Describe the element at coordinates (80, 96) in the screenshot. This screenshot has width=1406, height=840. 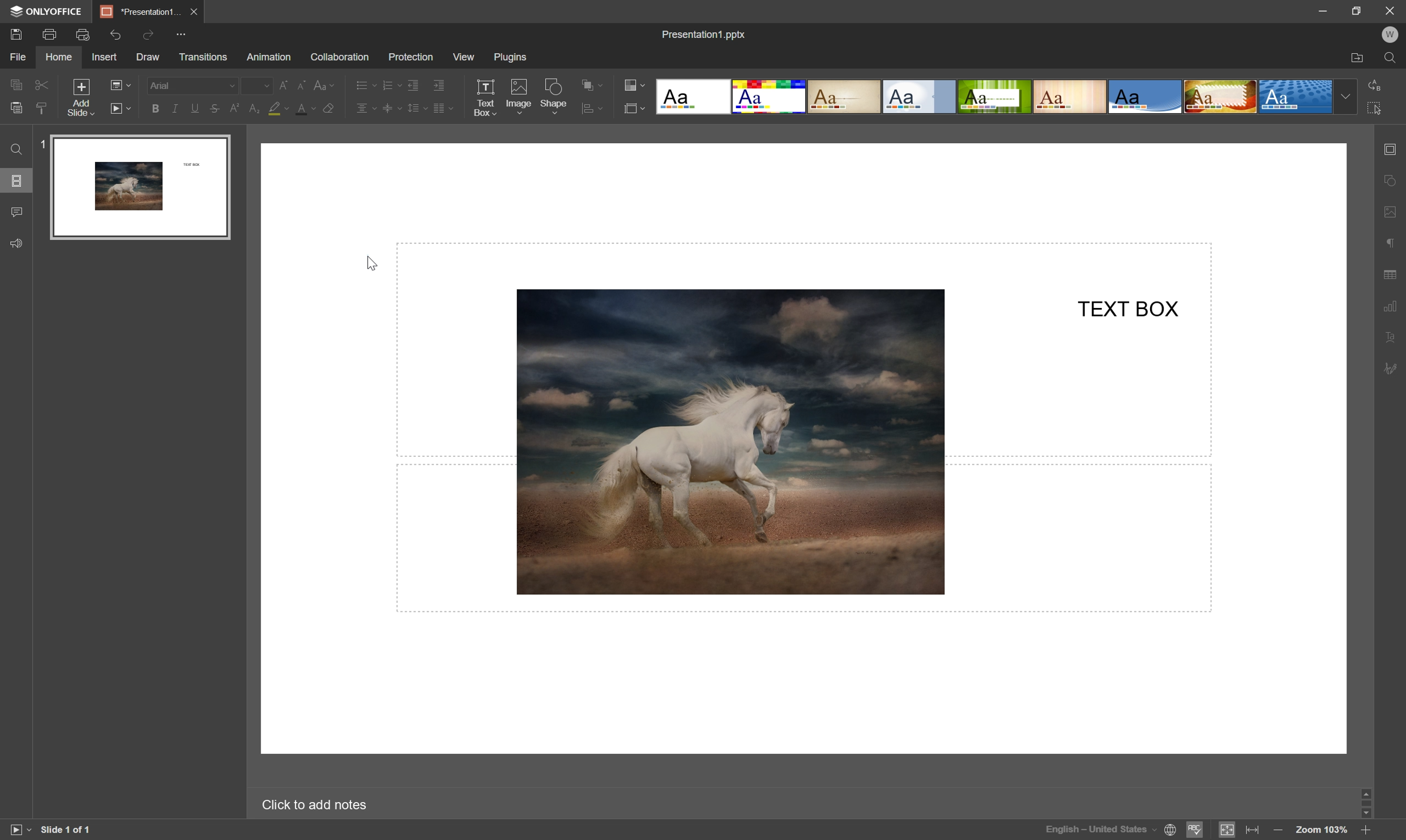
I see `add slide` at that location.